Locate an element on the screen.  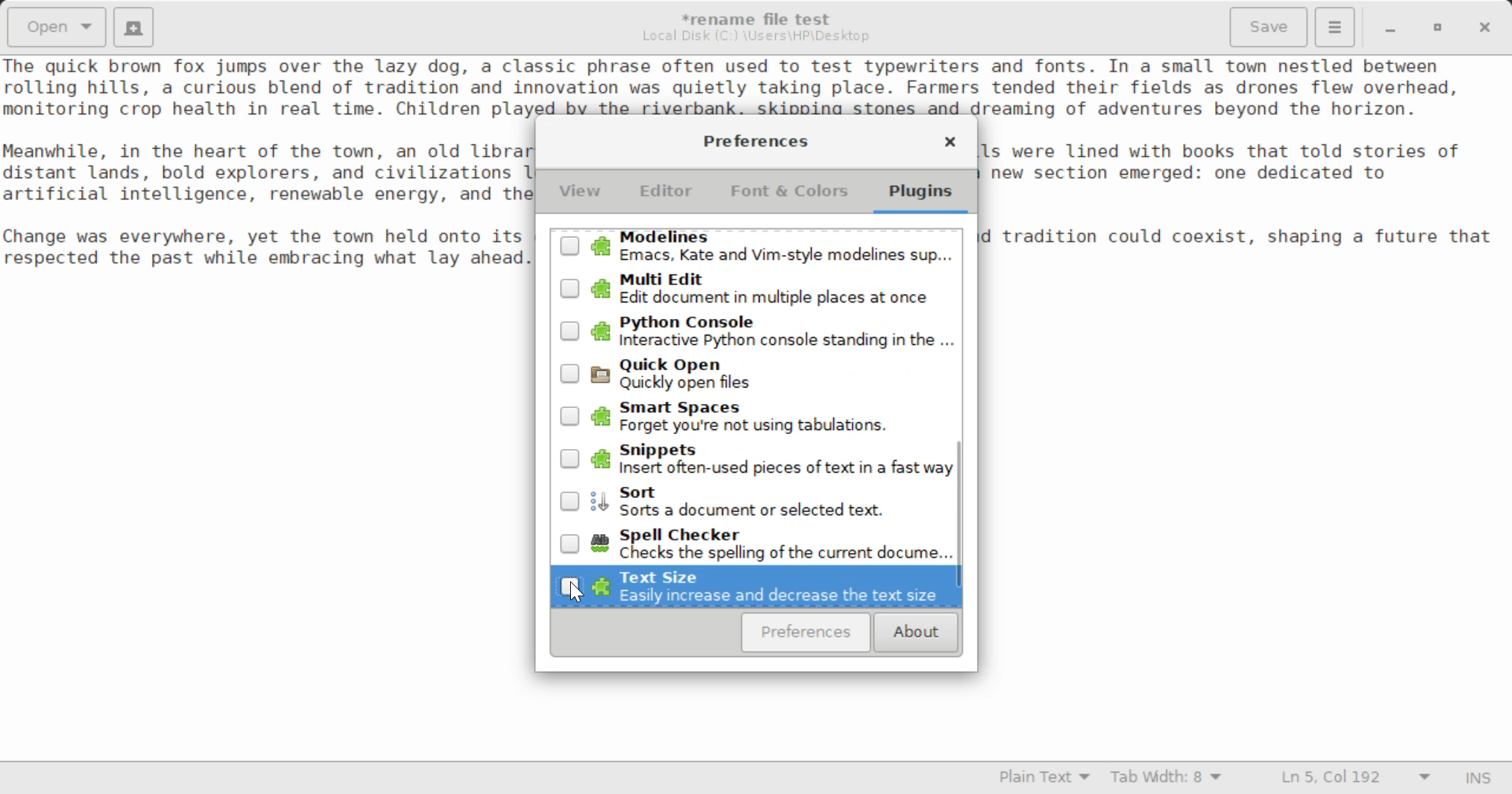
Editor Tab is located at coordinates (669, 195).